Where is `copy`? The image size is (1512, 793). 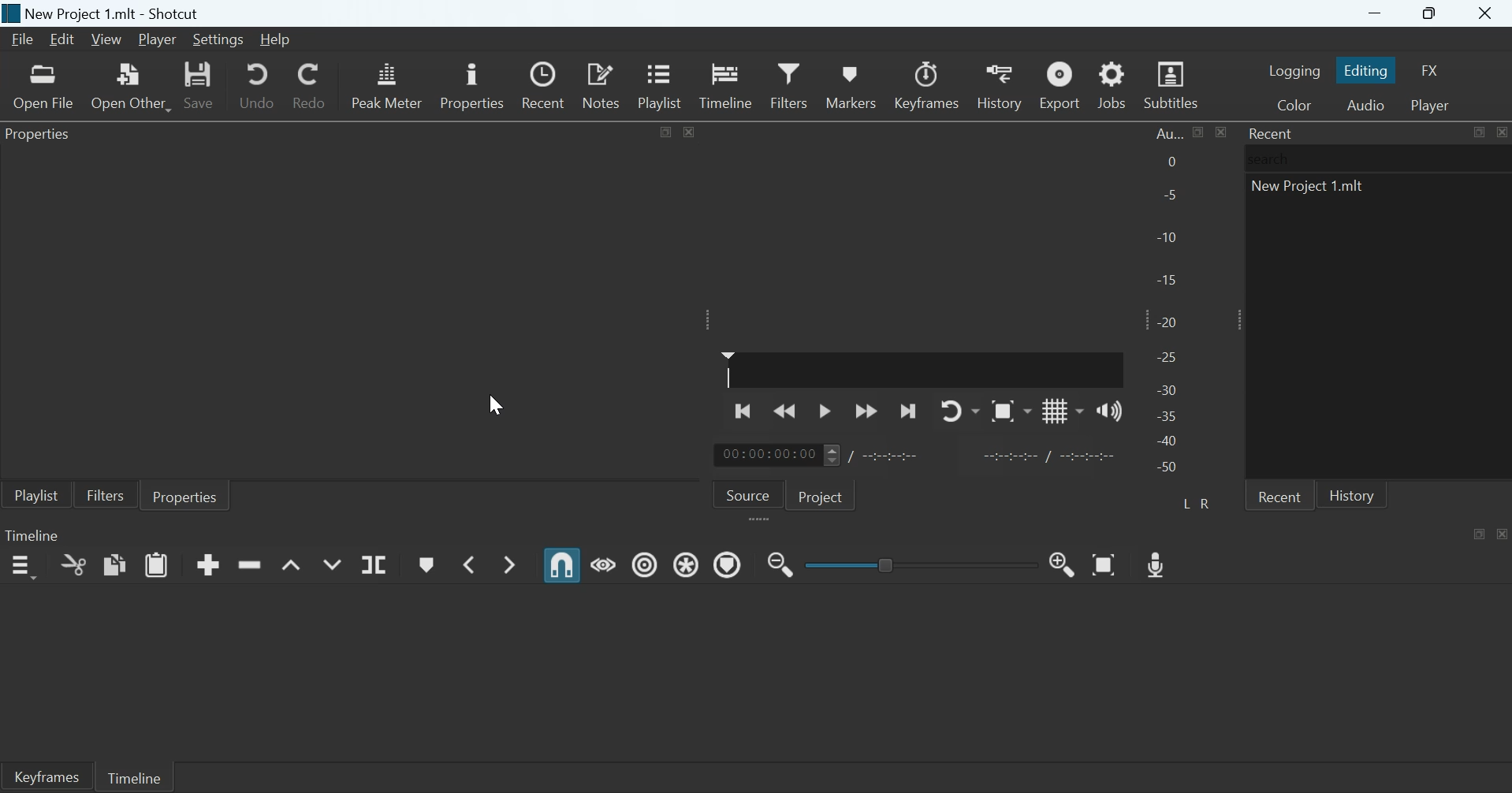 copy is located at coordinates (115, 564).